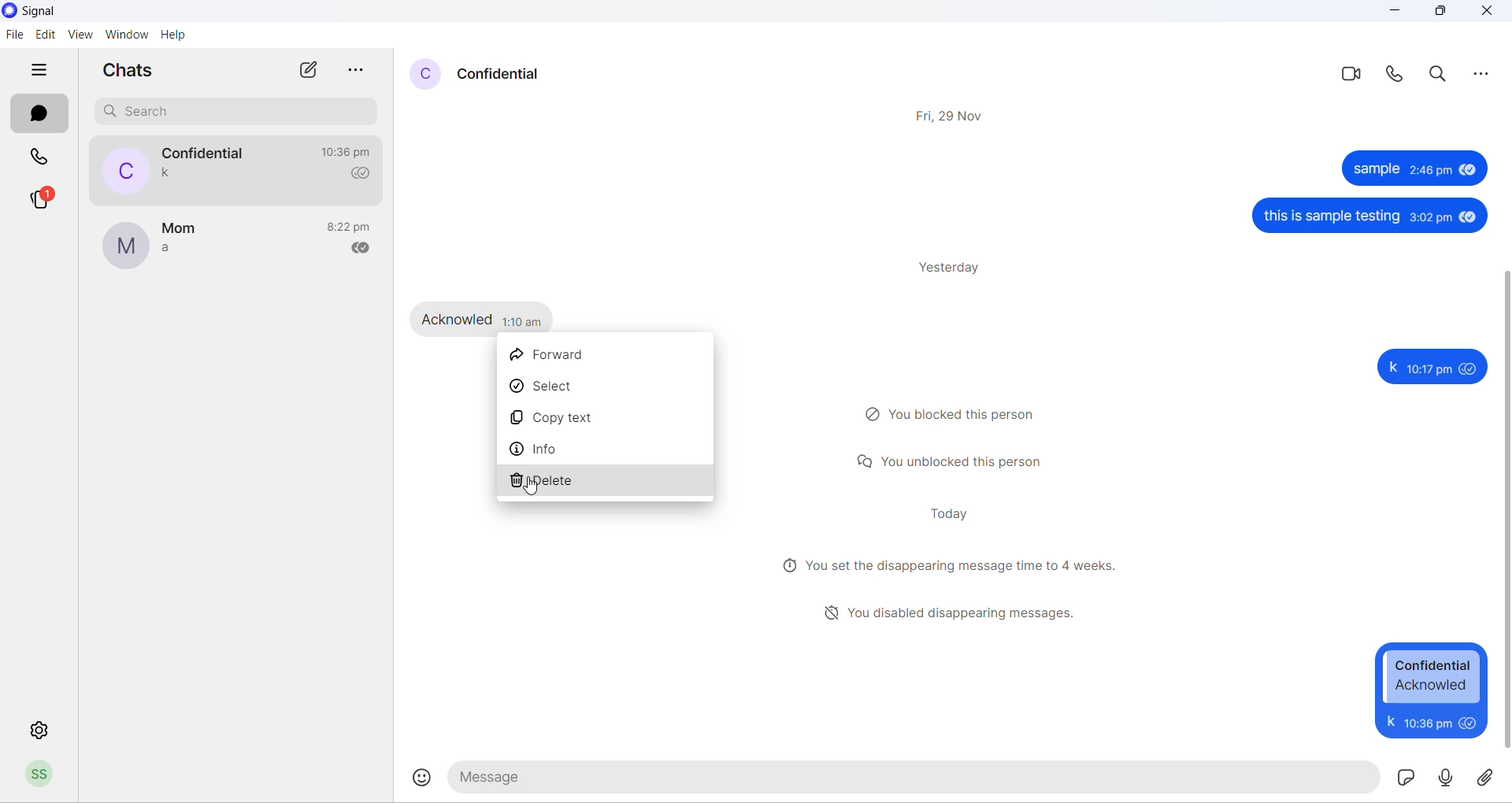 The image size is (1512, 803). Describe the element at coordinates (366, 250) in the screenshot. I see `read recipient` at that location.